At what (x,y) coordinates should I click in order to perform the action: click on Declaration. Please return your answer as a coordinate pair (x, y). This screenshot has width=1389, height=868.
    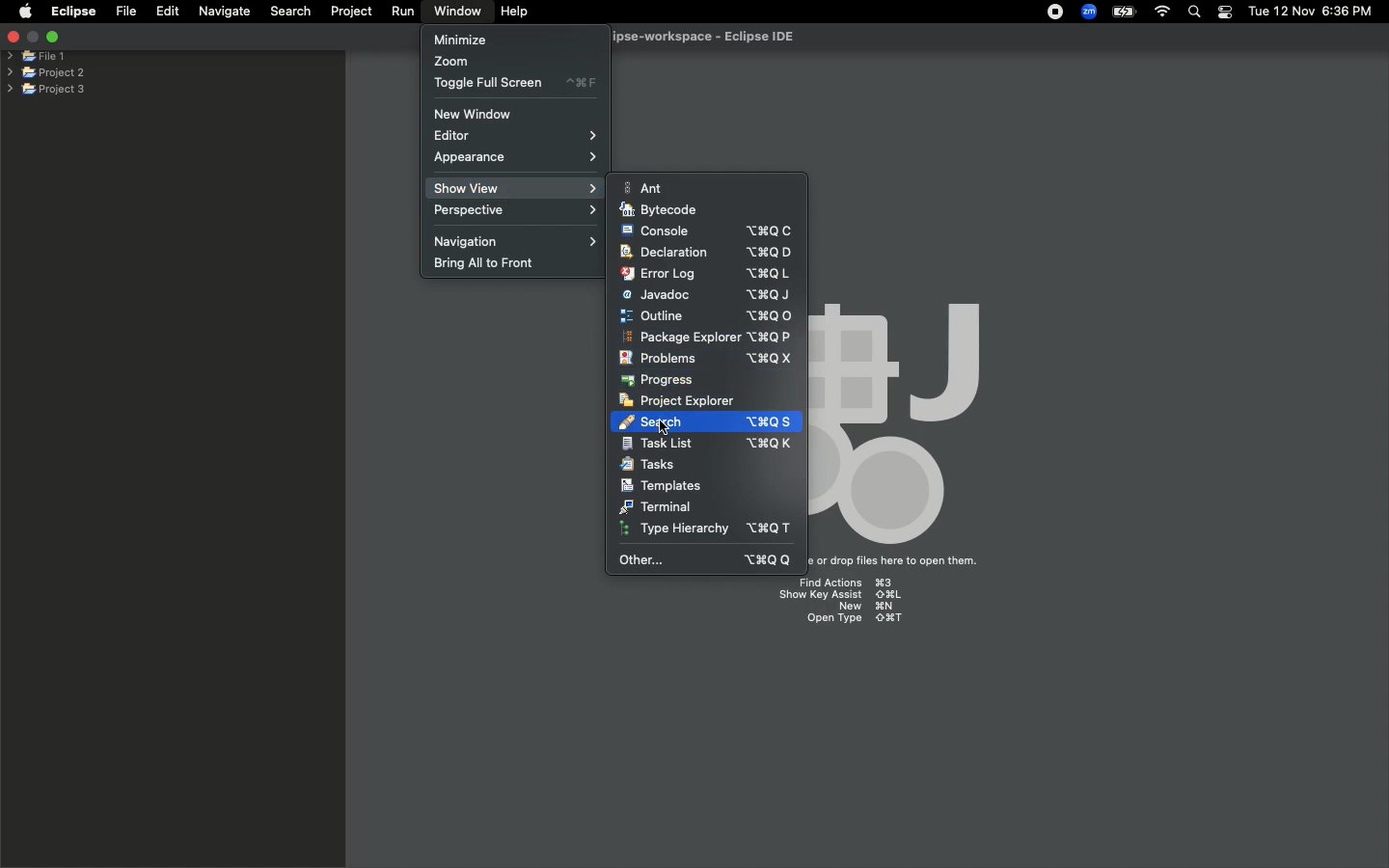
    Looking at the image, I should click on (704, 253).